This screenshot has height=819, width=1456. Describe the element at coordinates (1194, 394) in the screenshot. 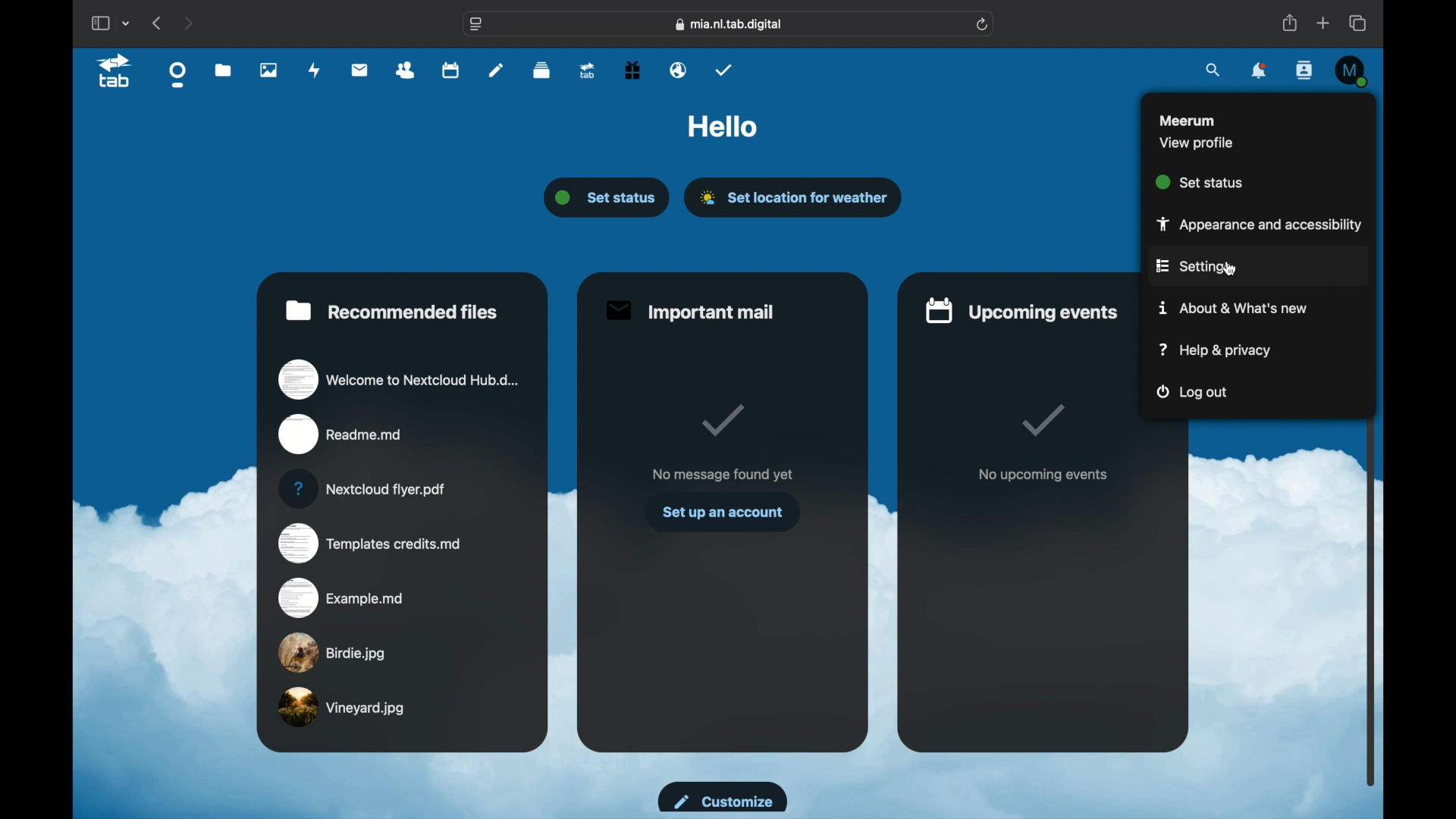

I see `log out` at that location.